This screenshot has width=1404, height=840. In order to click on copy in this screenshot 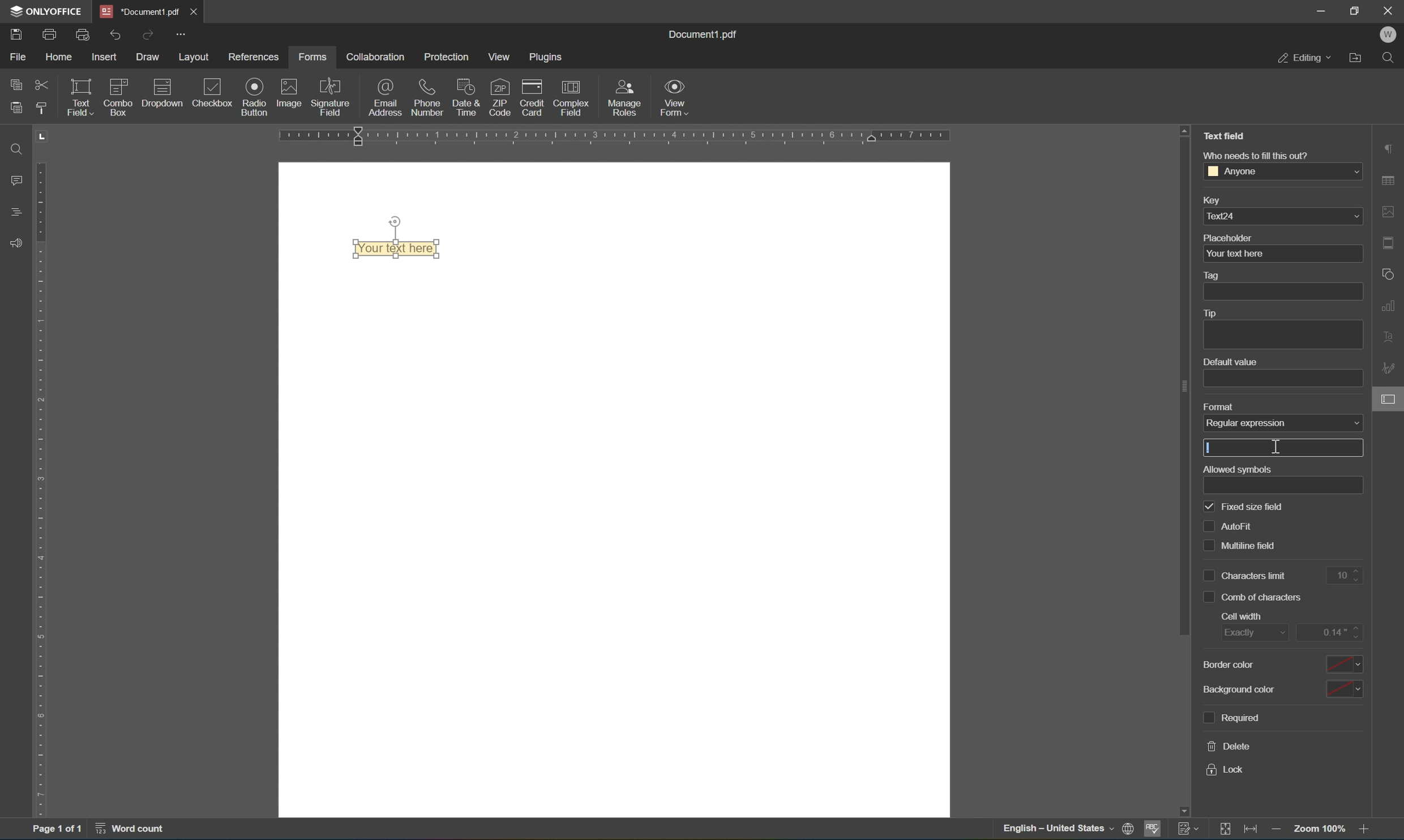, I will do `click(16, 82)`.